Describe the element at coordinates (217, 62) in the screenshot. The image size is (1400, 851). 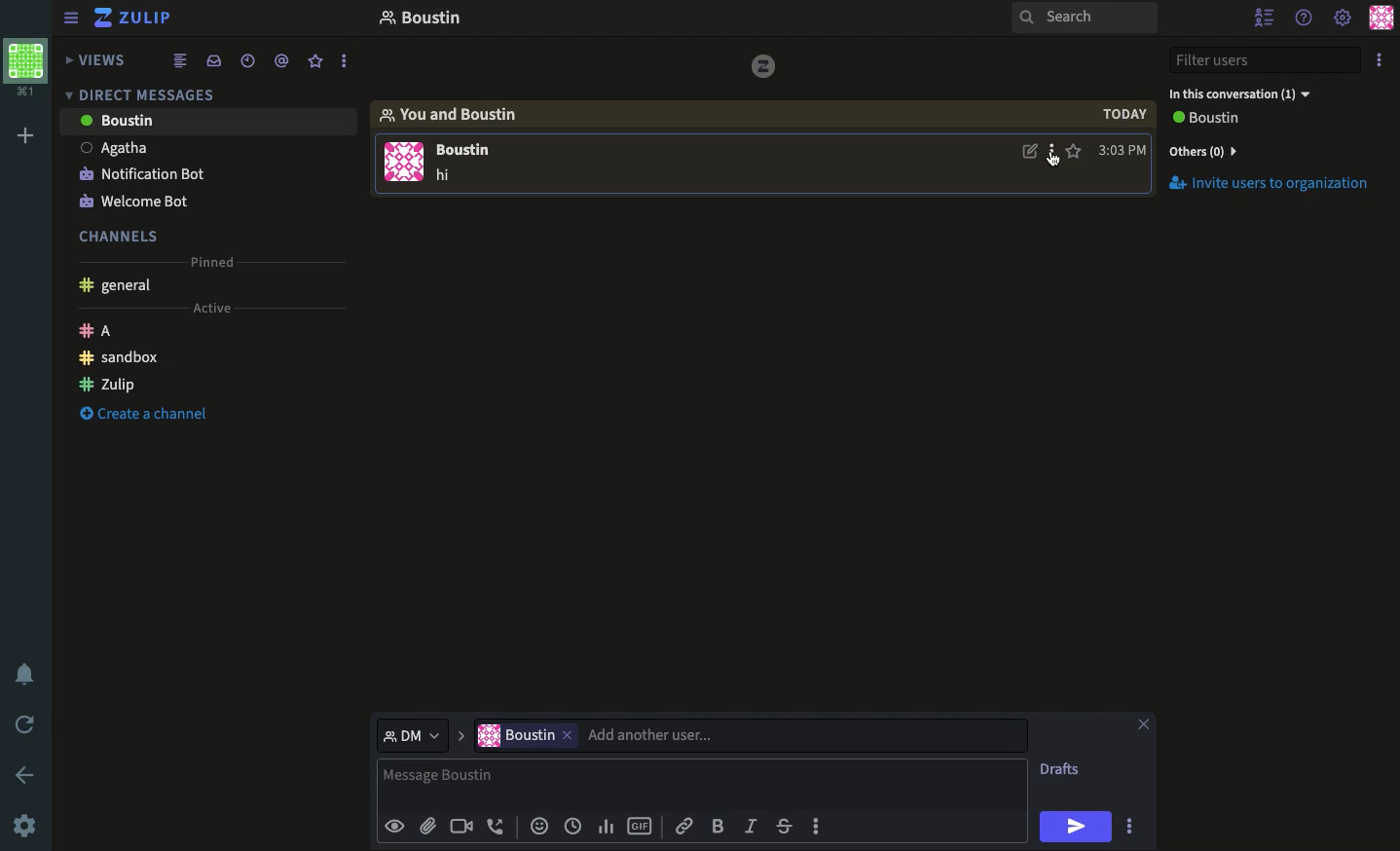
I see `Inbox` at that location.